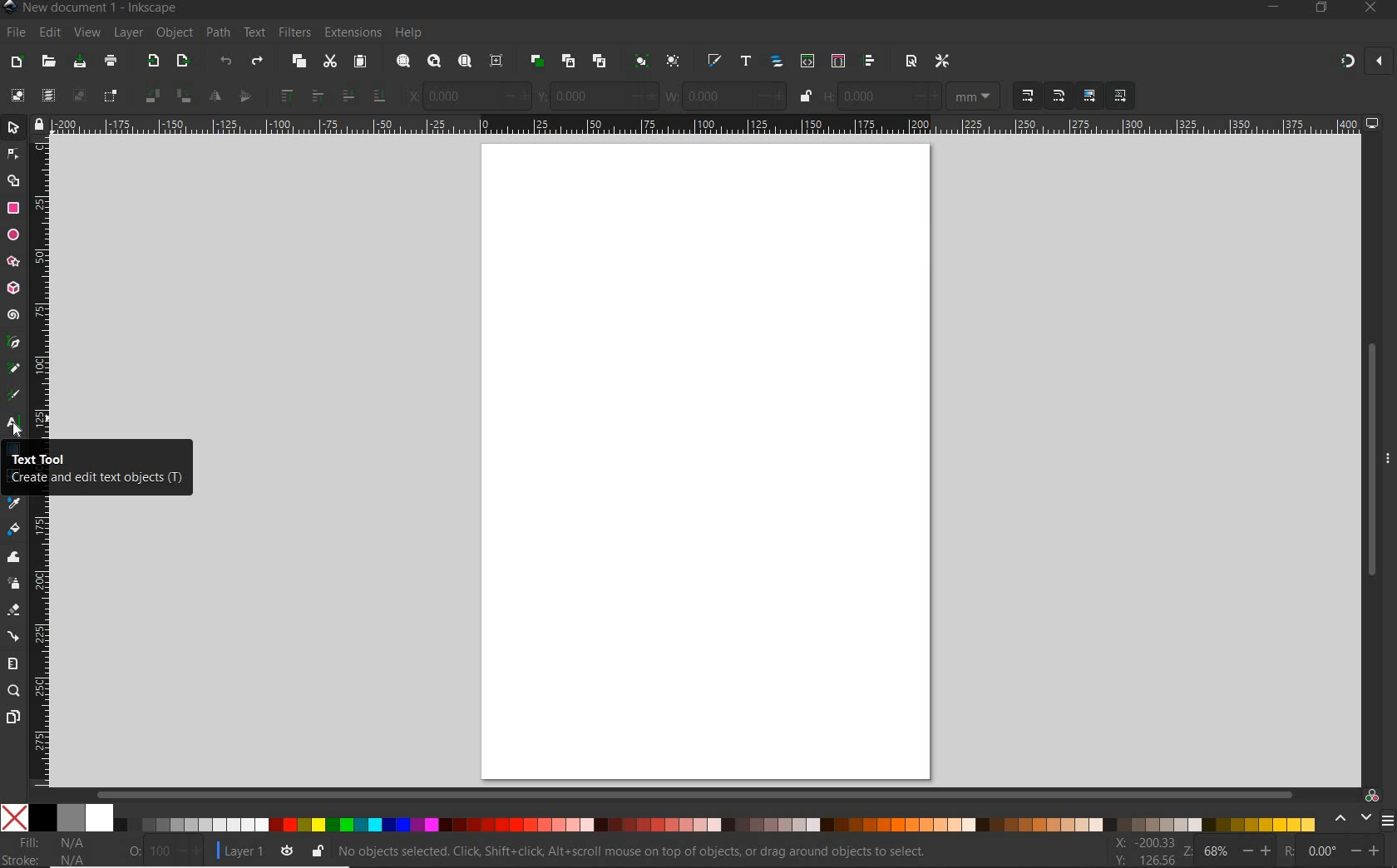 The image size is (1397, 868). Describe the element at coordinates (37, 124) in the screenshot. I see `lock` at that location.